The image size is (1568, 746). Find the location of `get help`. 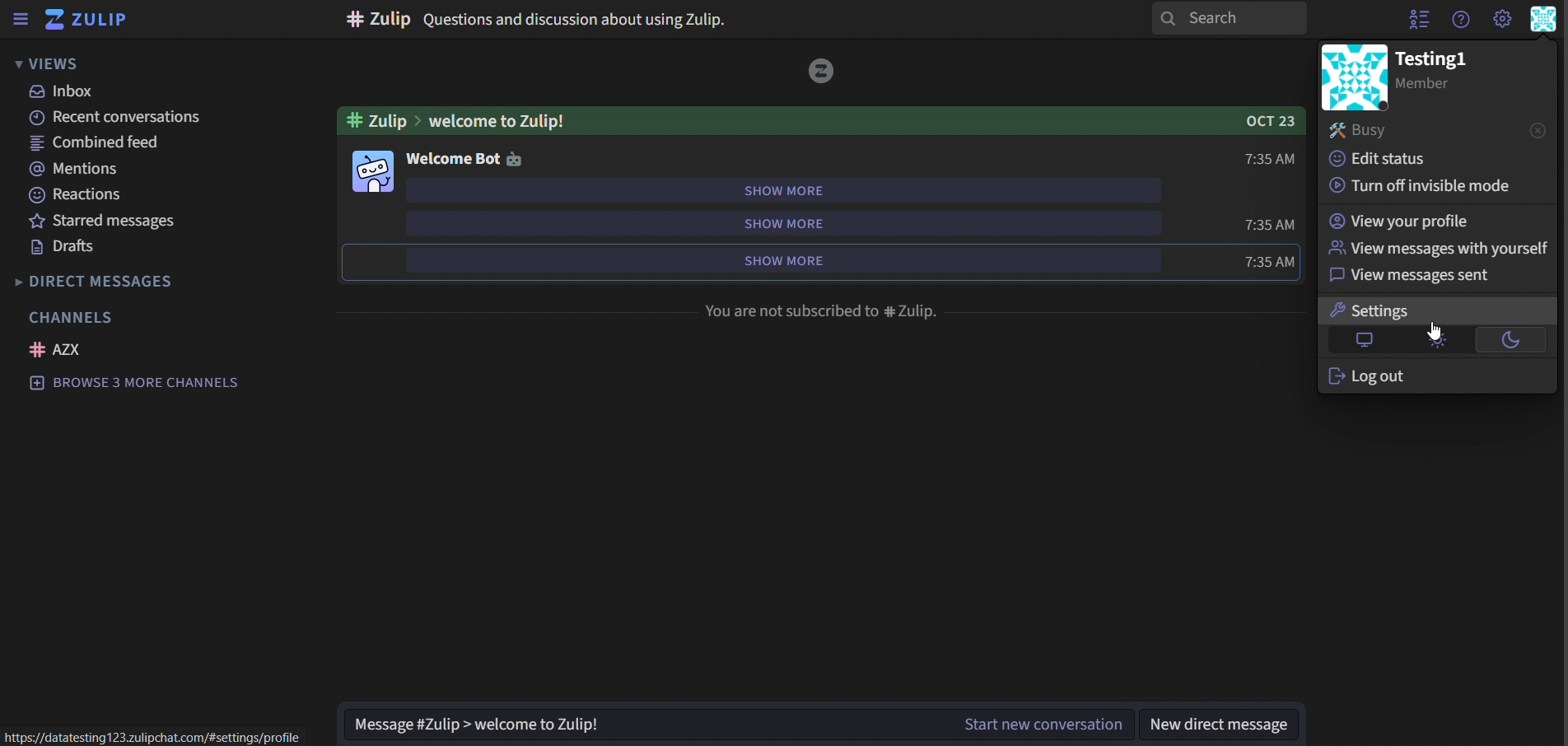

get help is located at coordinates (1461, 21).